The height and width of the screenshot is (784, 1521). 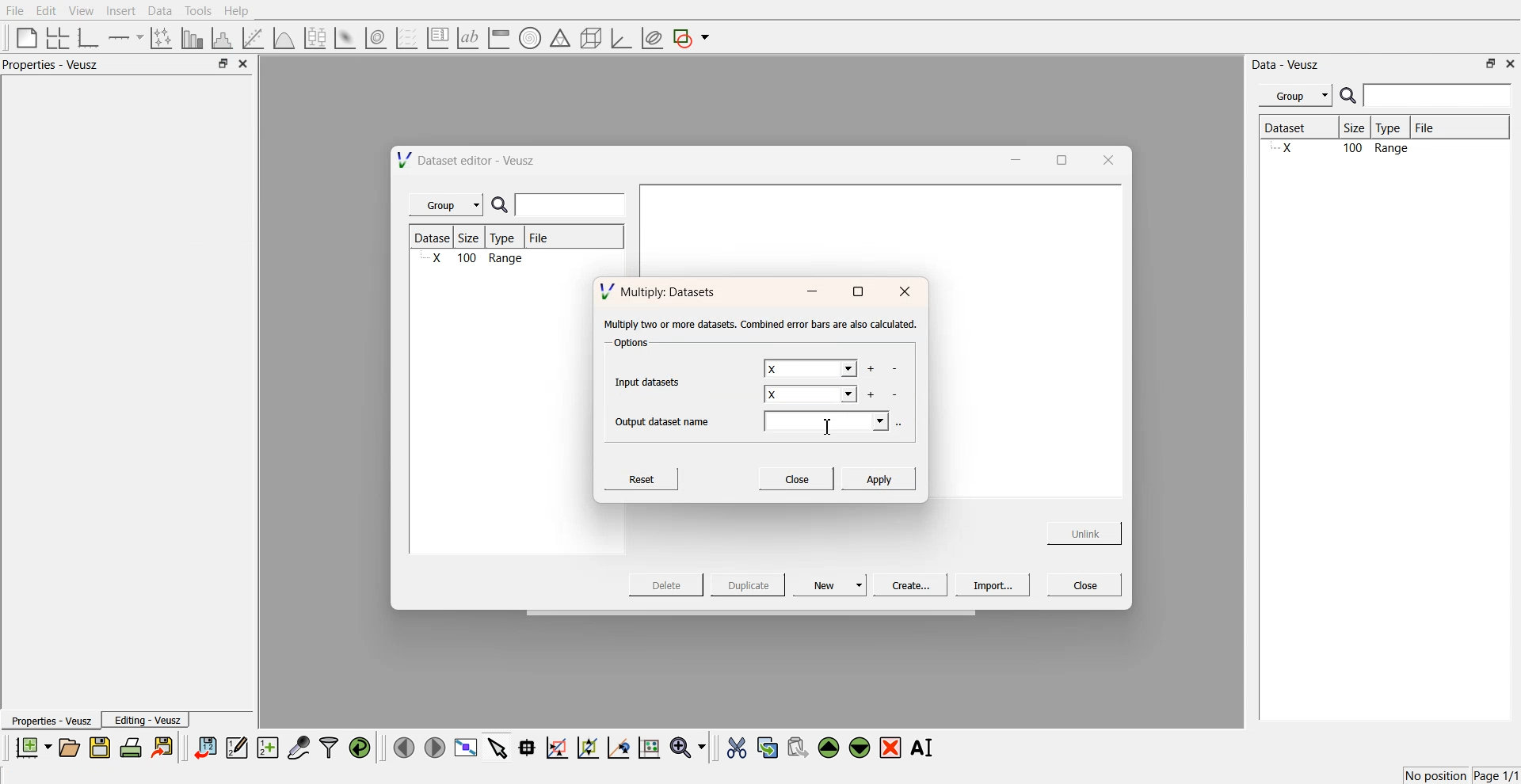 I want to click on paste the selected widgets, so click(x=796, y=747).